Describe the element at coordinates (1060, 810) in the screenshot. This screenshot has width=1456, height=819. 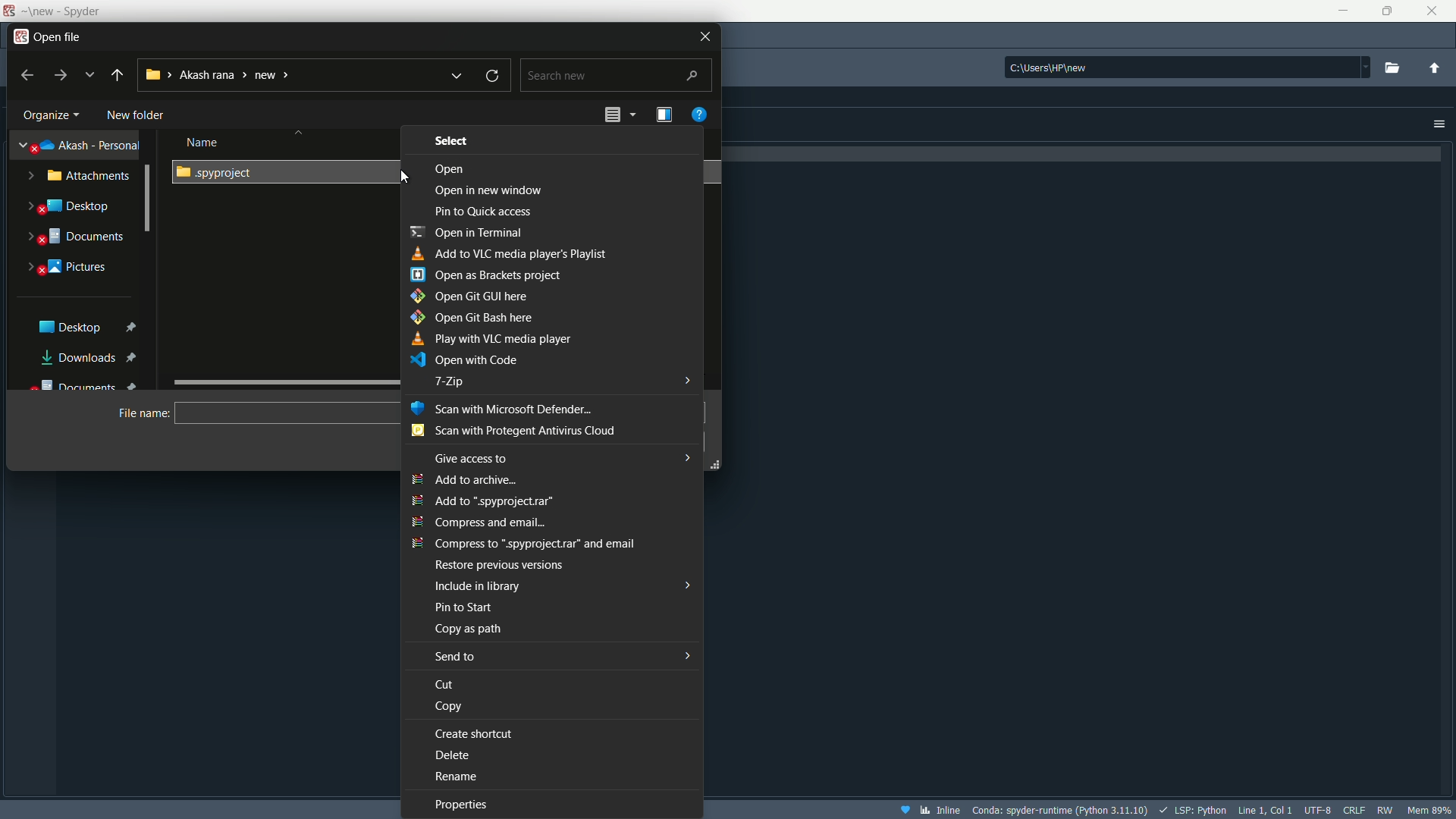
I see `interpreter` at that location.